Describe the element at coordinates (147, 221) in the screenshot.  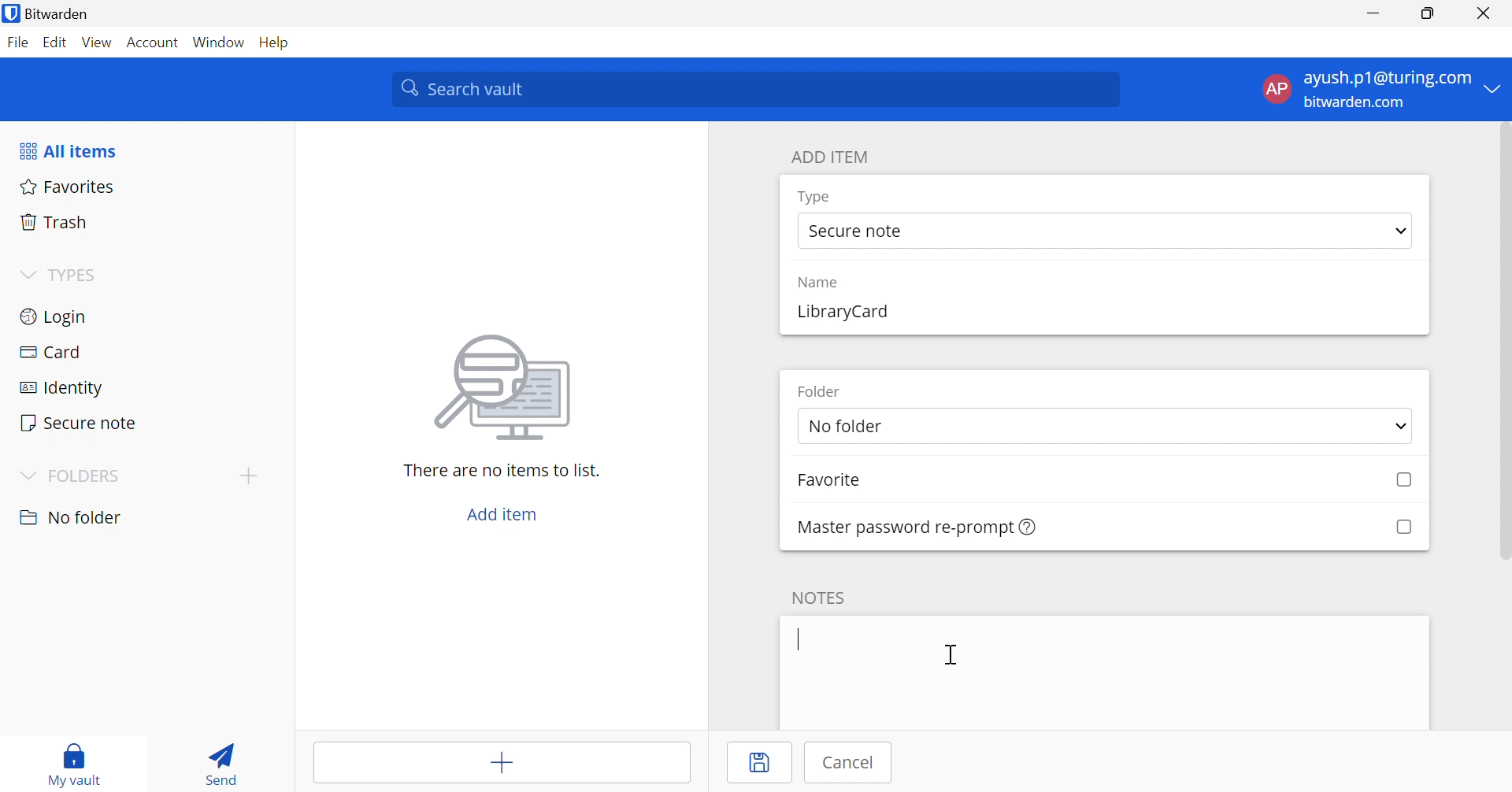
I see `Trash` at that location.